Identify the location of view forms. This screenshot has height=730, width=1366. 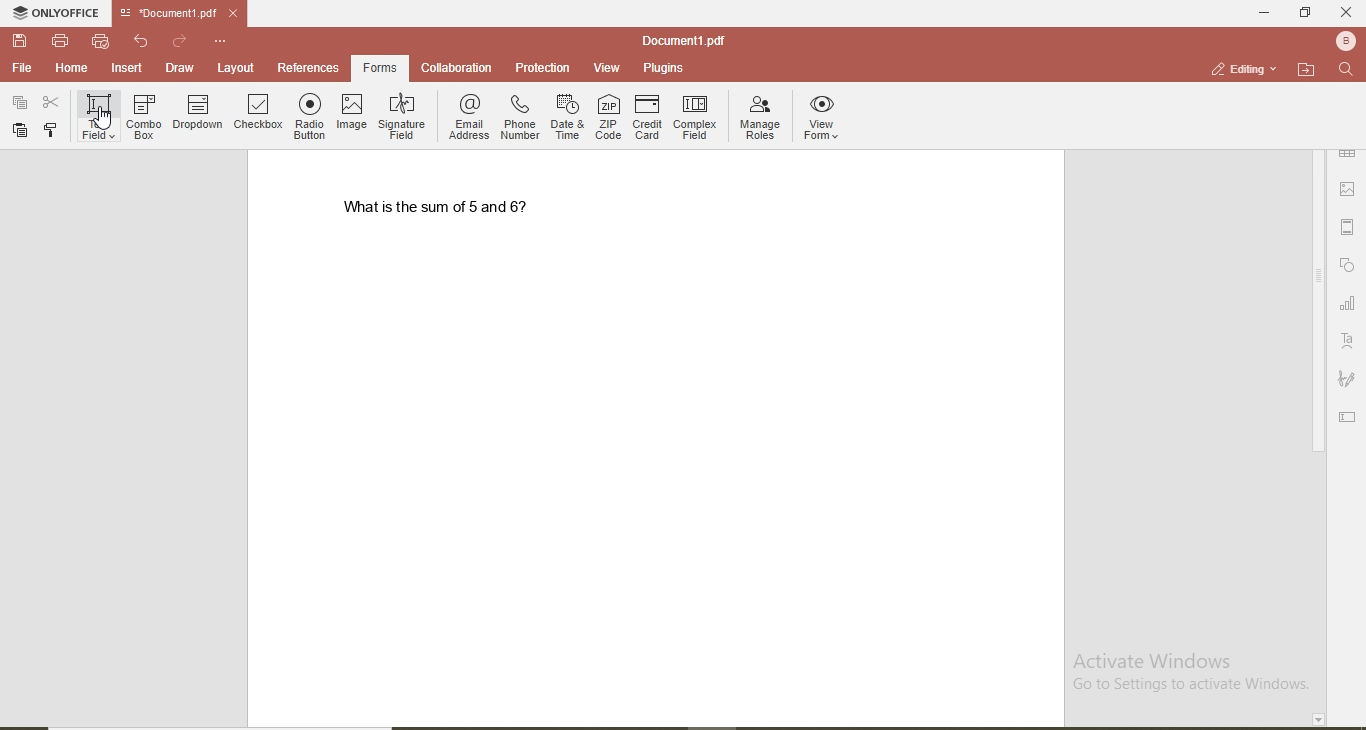
(824, 117).